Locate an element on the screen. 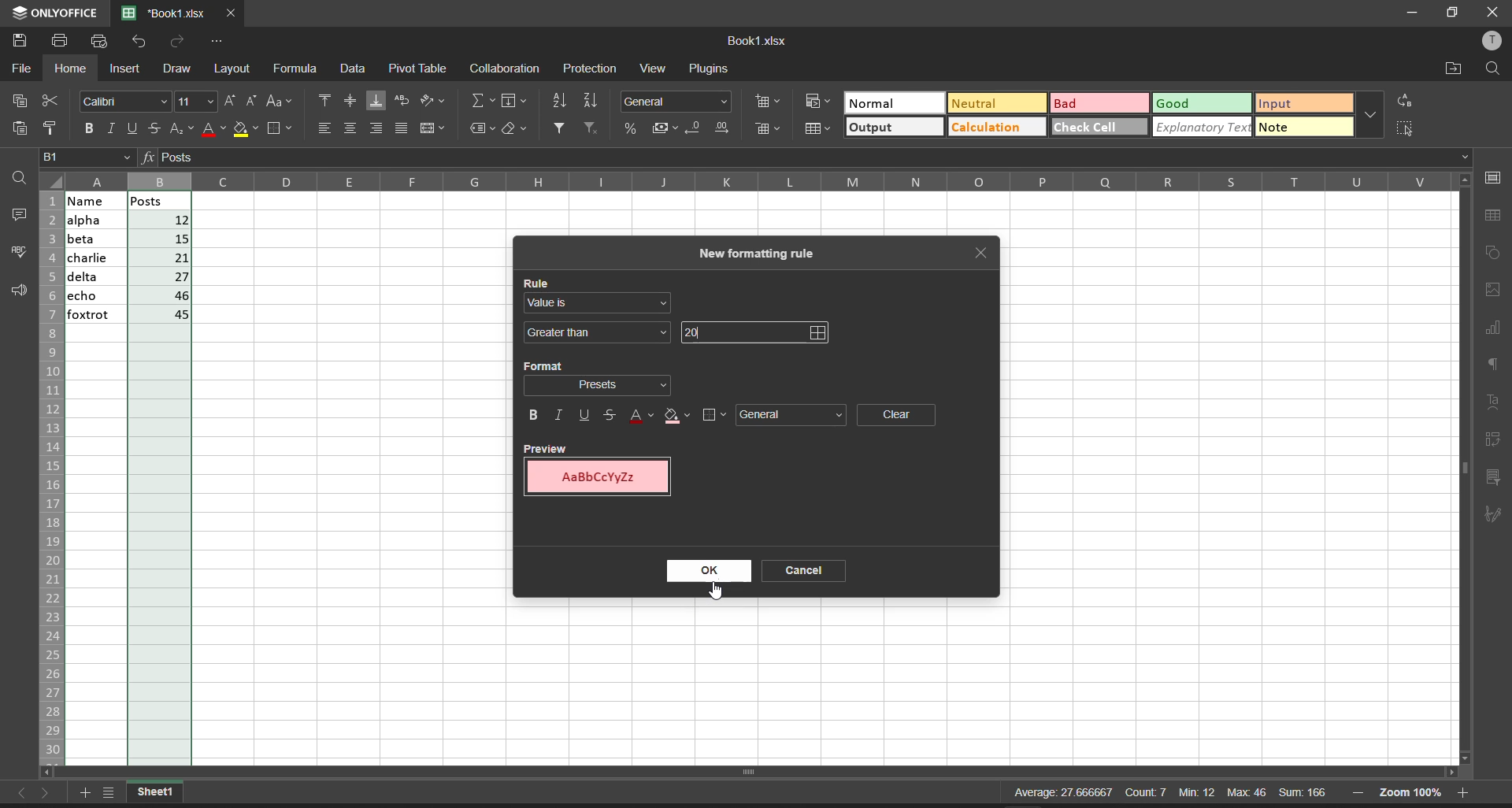 The image size is (1512, 808). collaboration is located at coordinates (506, 69).